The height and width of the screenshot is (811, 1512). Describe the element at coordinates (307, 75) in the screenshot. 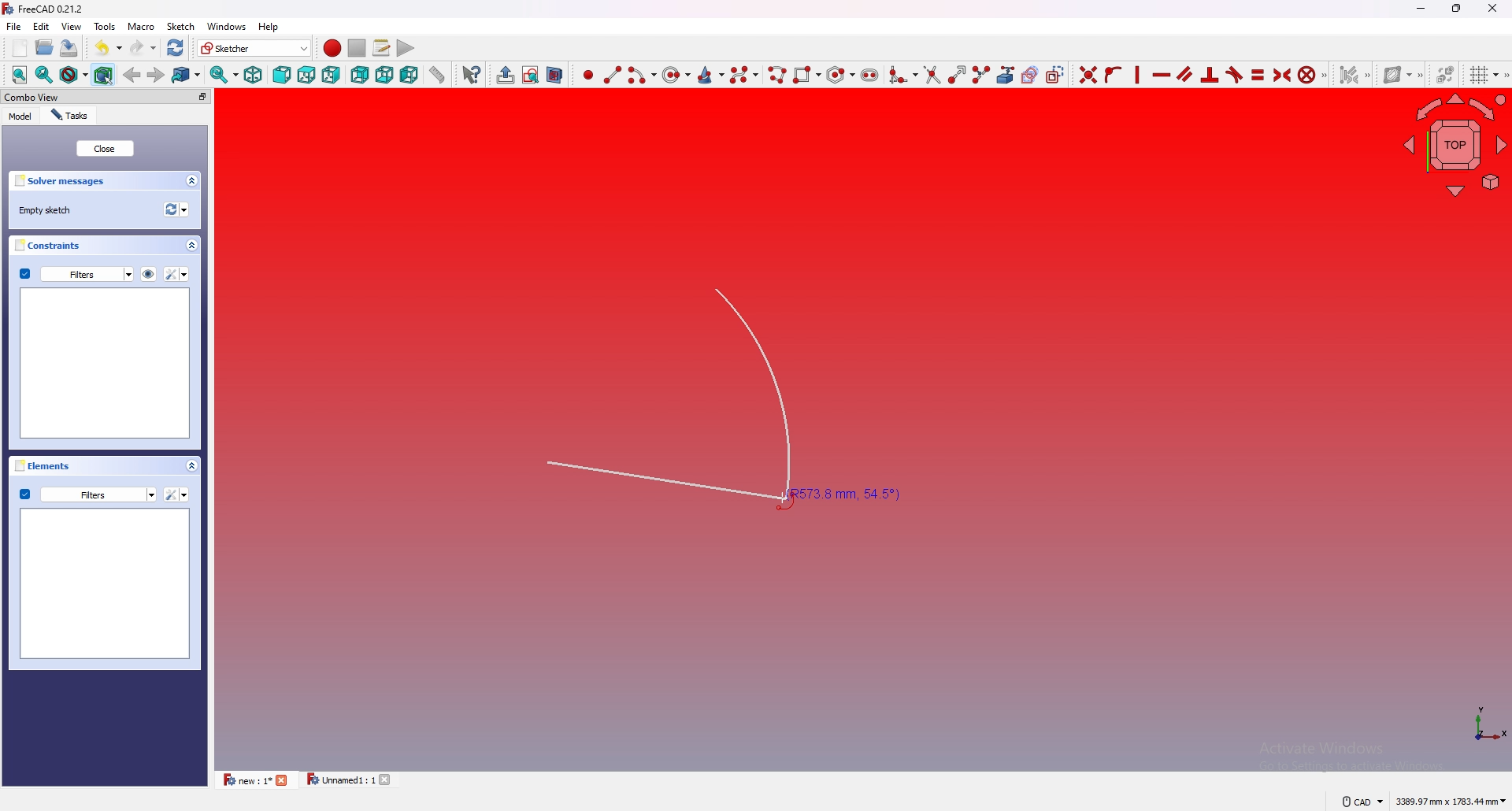

I see `top` at that location.